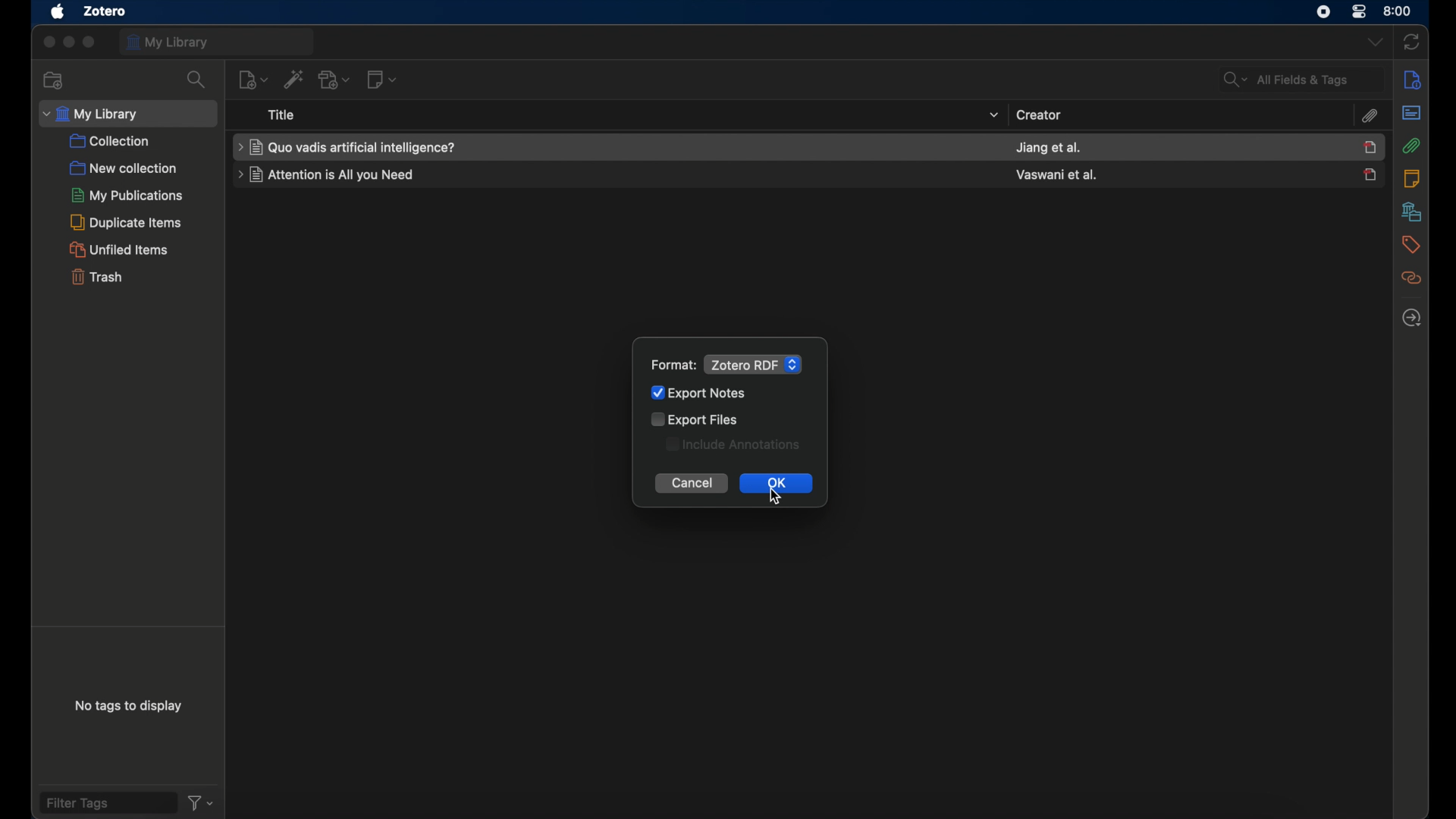  What do you see at coordinates (110, 142) in the screenshot?
I see `collection` at bounding box center [110, 142].